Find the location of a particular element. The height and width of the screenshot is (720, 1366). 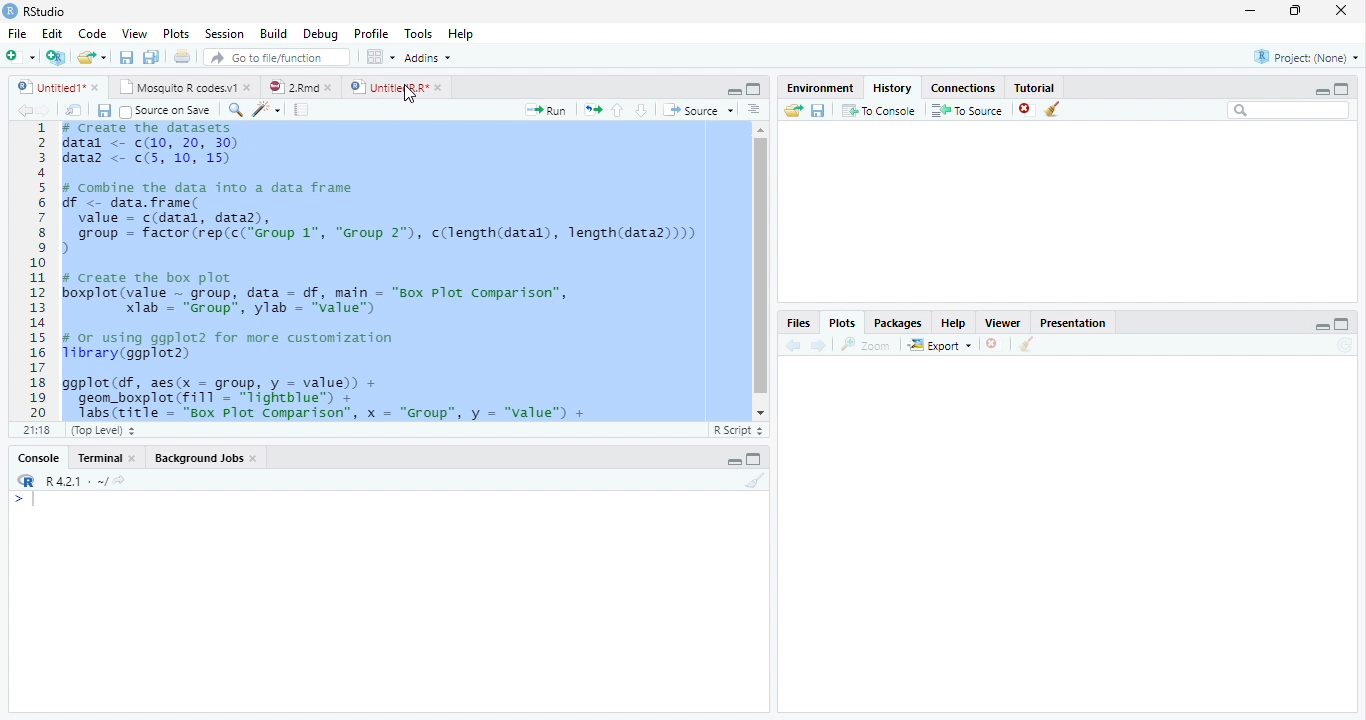

Go to next section/chunk is located at coordinates (641, 111).